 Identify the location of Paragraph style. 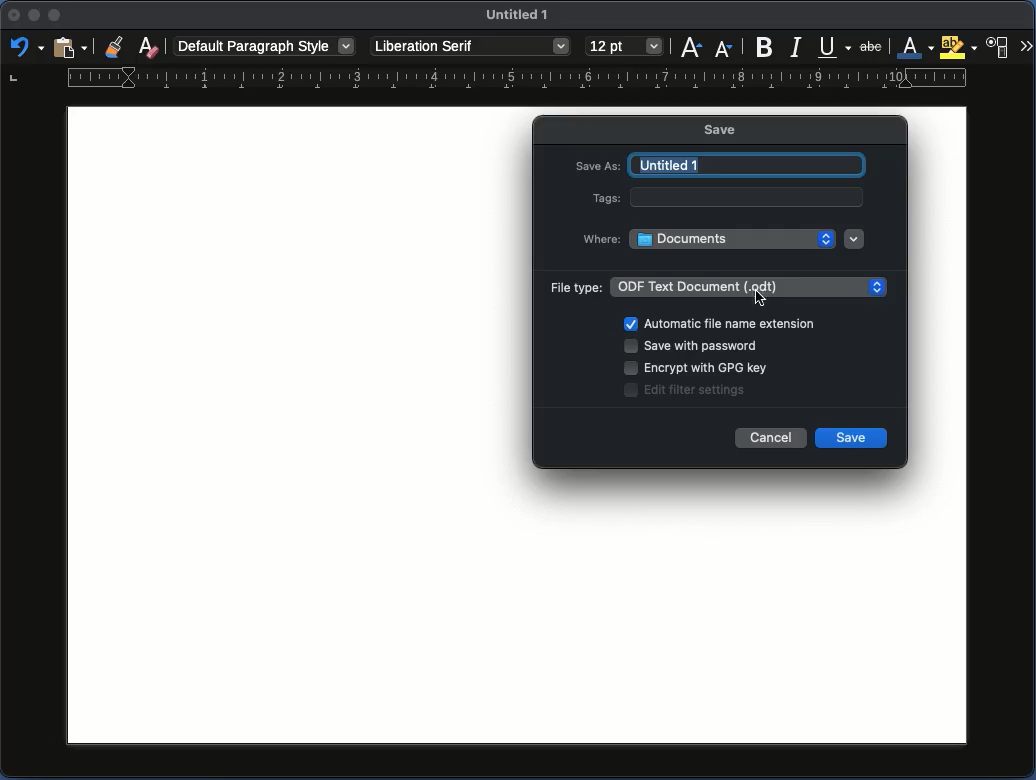
(265, 45).